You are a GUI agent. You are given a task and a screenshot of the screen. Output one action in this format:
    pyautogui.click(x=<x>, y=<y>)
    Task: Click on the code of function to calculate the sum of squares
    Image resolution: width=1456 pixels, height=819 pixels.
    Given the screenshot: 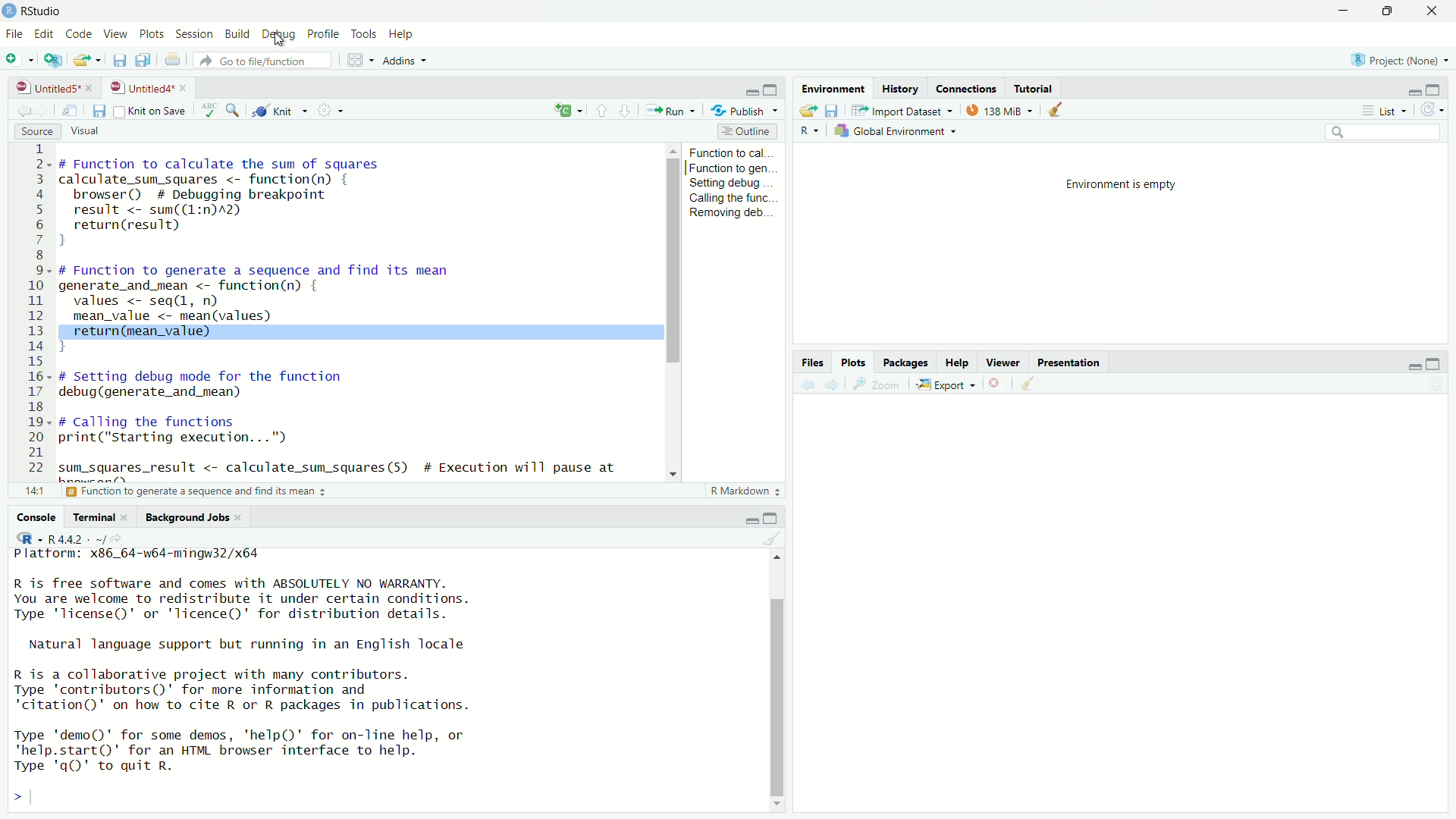 What is the action you would take?
    pyautogui.click(x=279, y=202)
    